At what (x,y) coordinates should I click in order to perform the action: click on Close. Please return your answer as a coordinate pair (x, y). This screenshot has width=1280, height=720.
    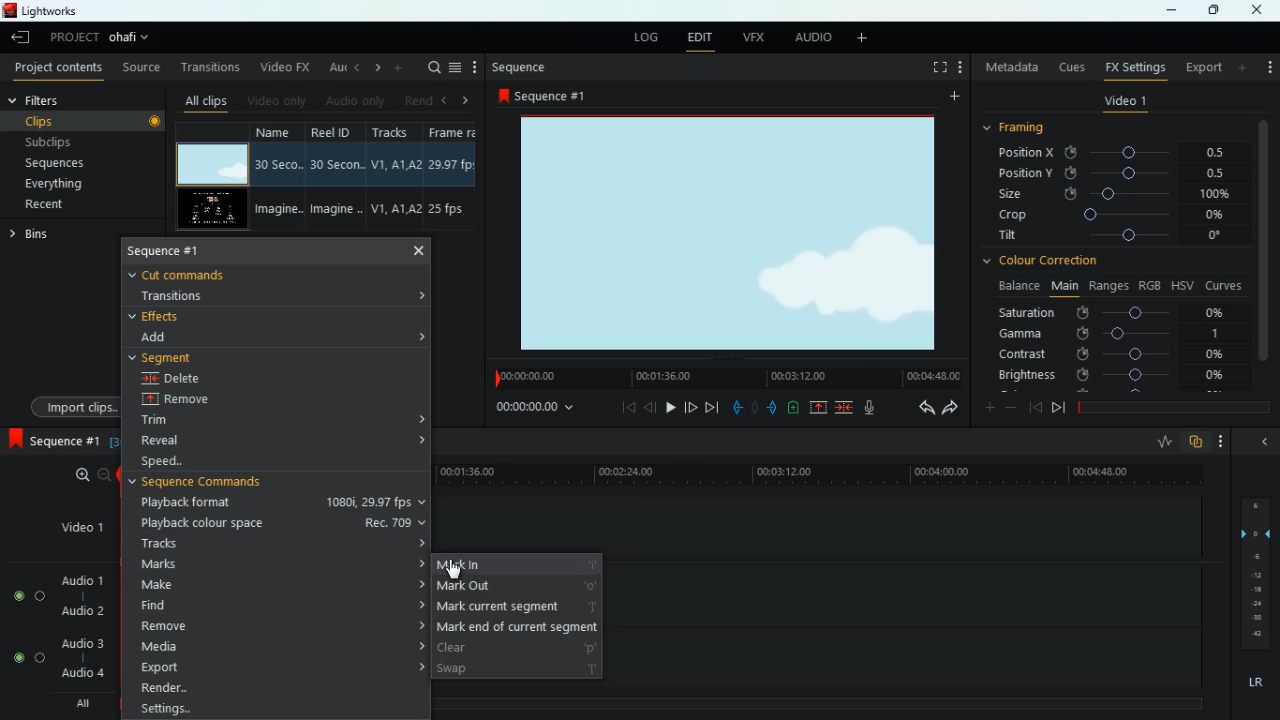
    Looking at the image, I should click on (1254, 10).